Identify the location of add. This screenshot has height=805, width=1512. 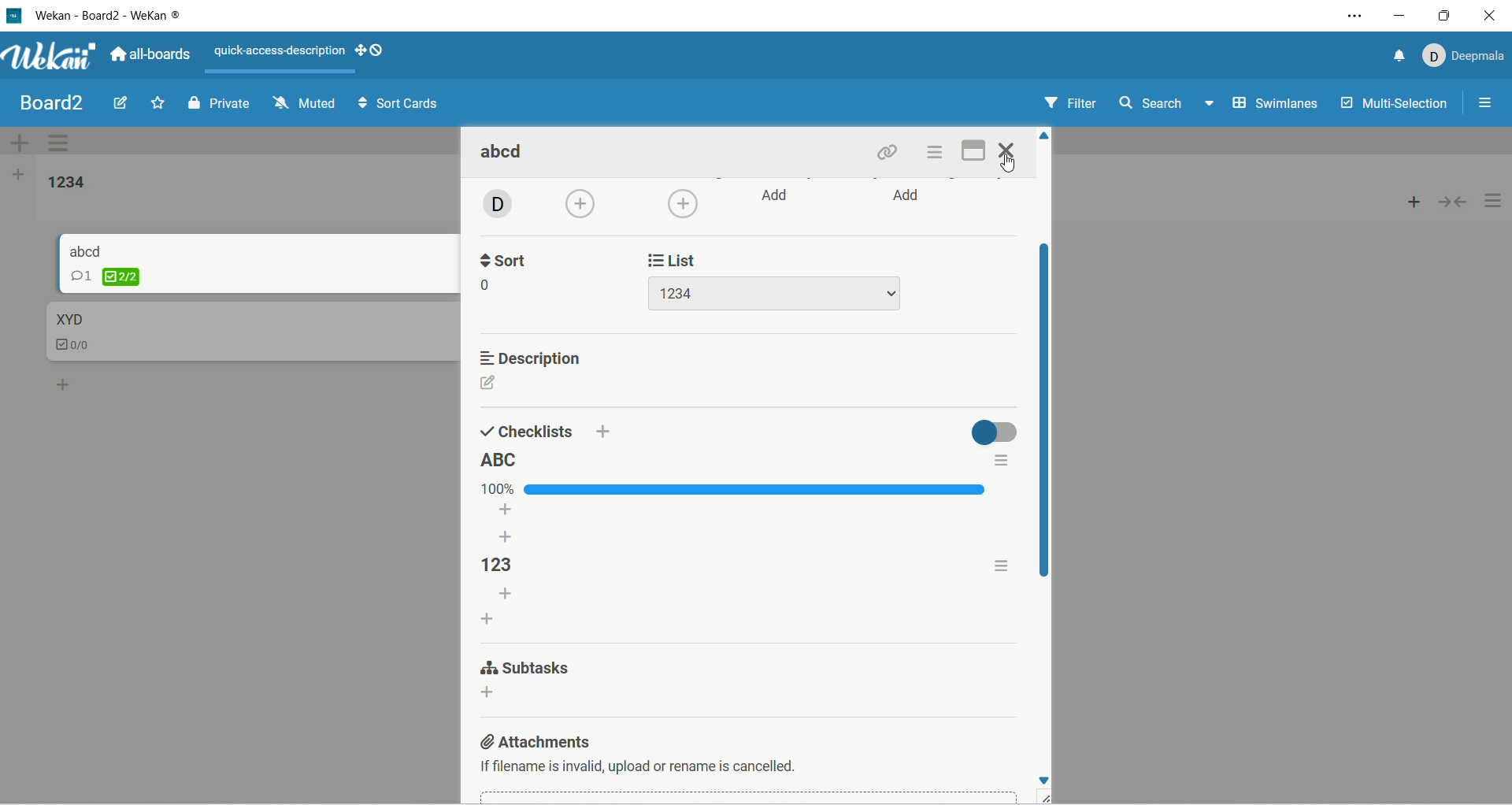
(604, 430).